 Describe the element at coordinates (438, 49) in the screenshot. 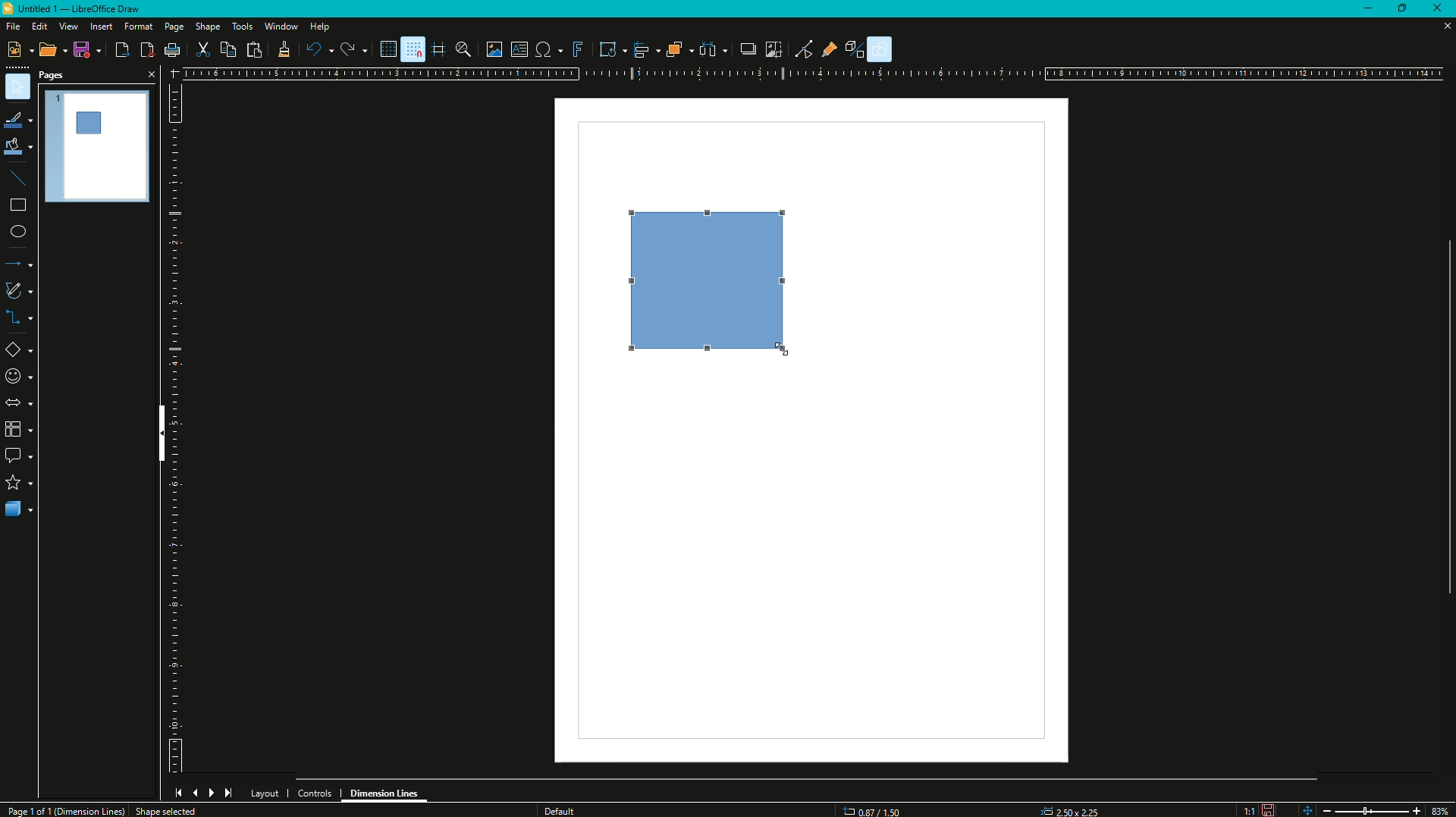

I see `Helplines` at that location.